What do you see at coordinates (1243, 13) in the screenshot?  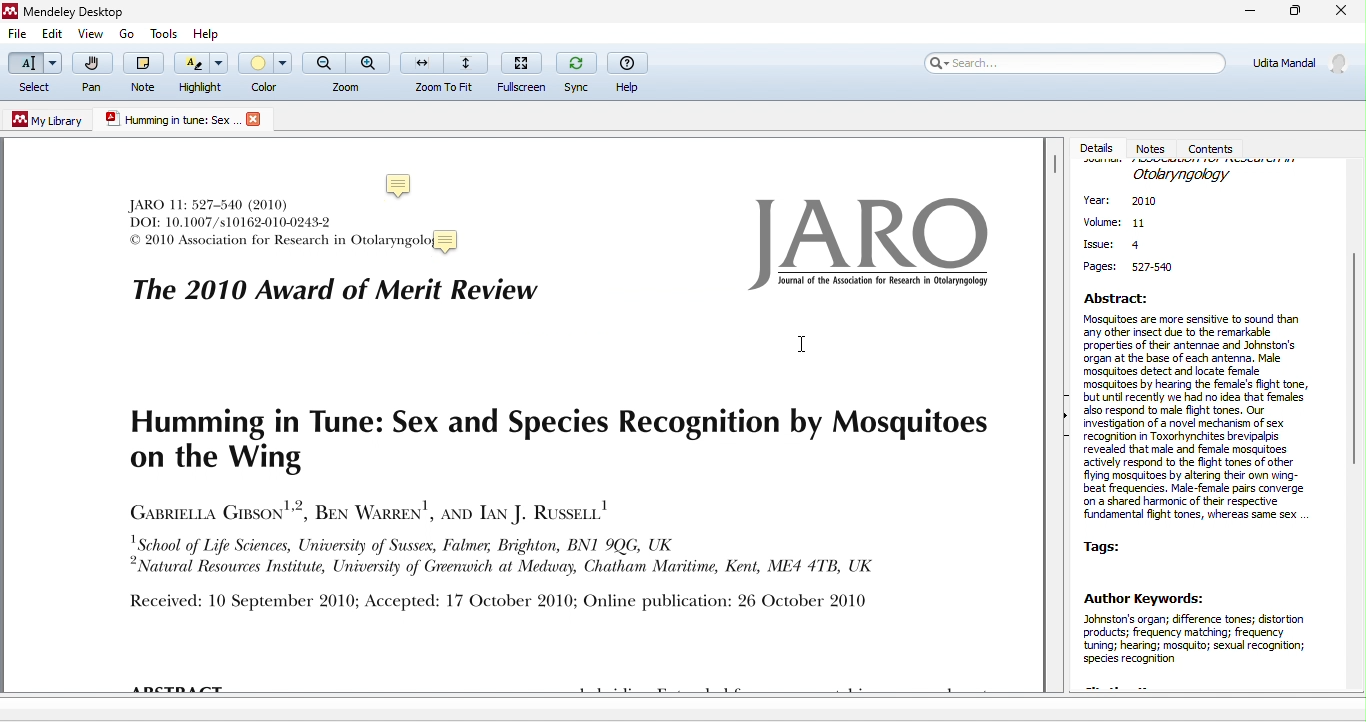 I see `minimize` at bounding box center [1243, 13].